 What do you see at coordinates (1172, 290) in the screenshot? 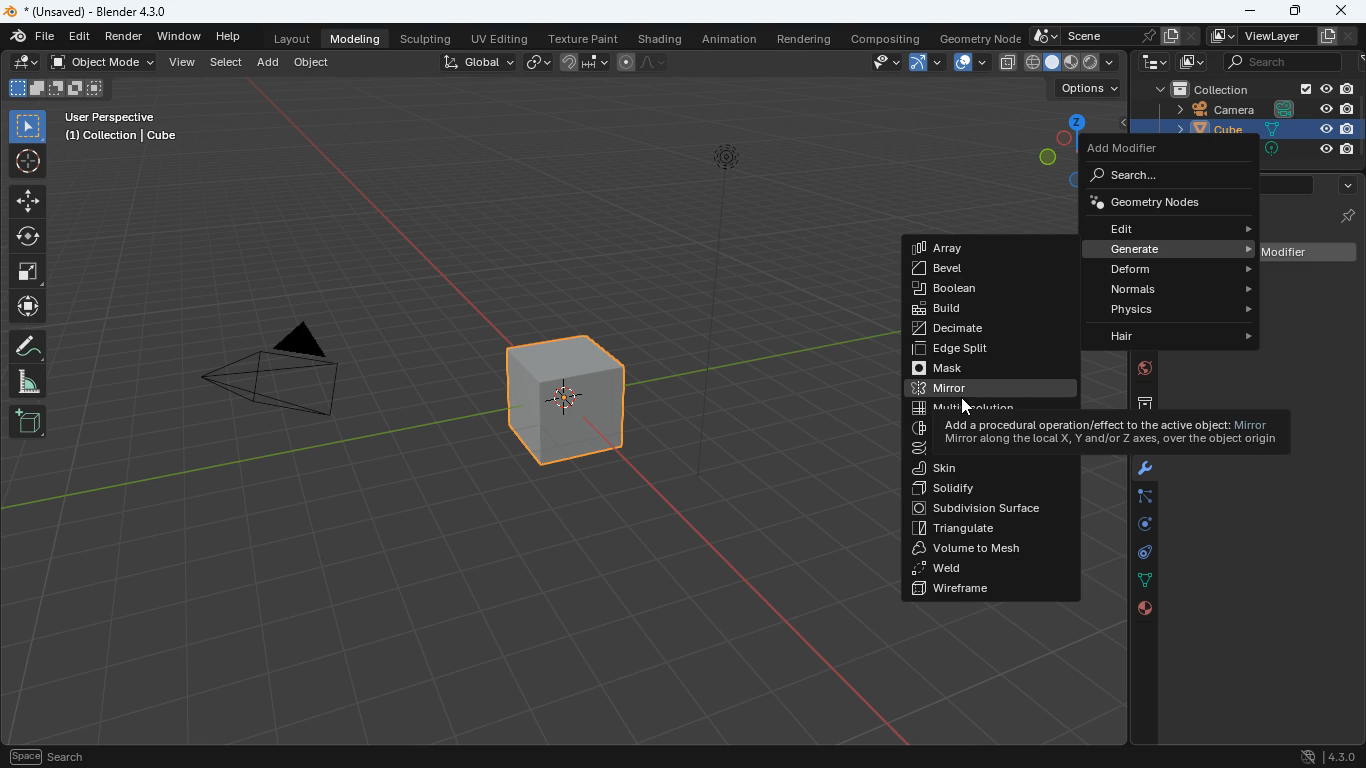
I see `normals` at bounding box center [1172, 290].